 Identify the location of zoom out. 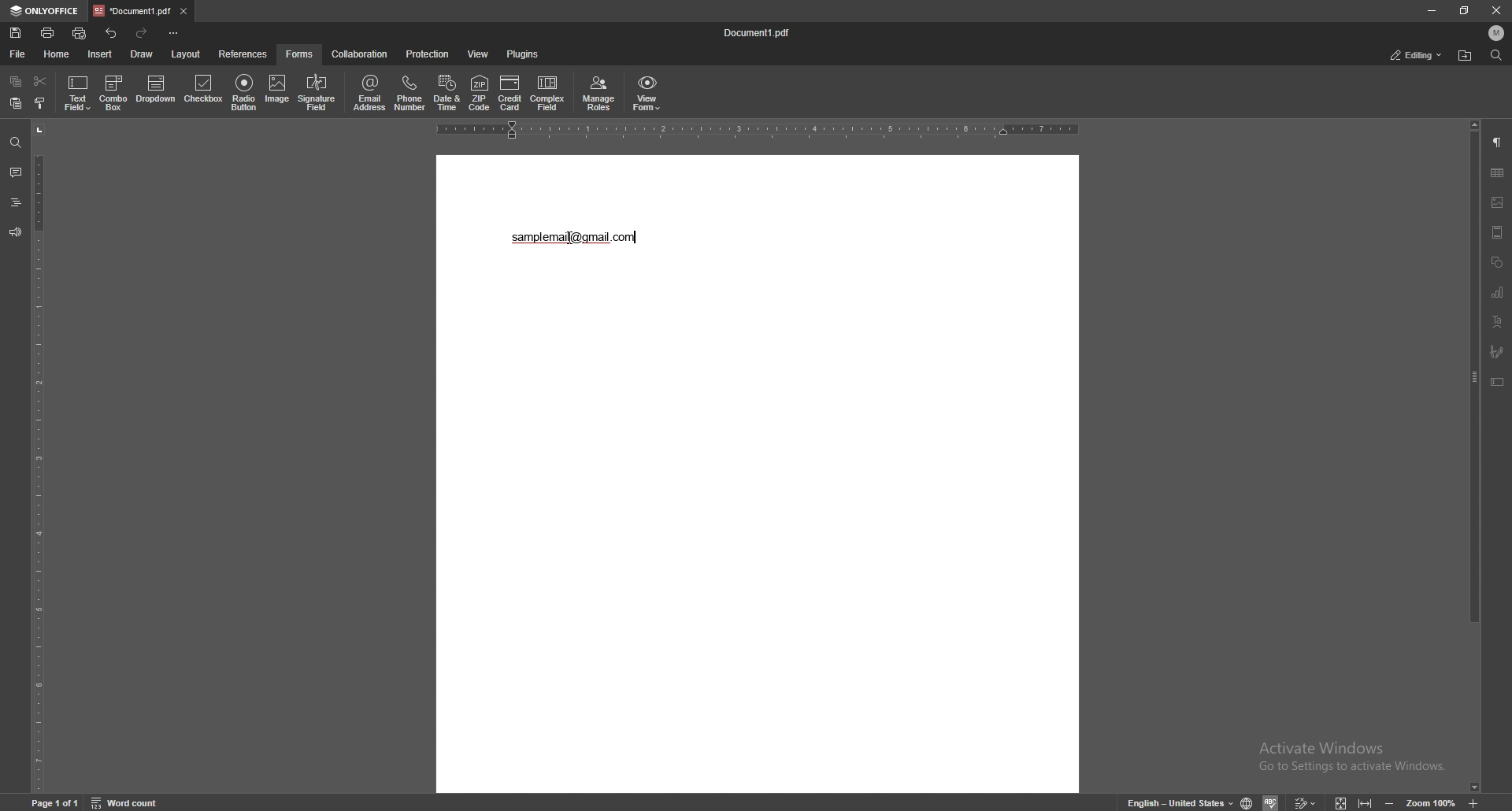
(1392, 802).